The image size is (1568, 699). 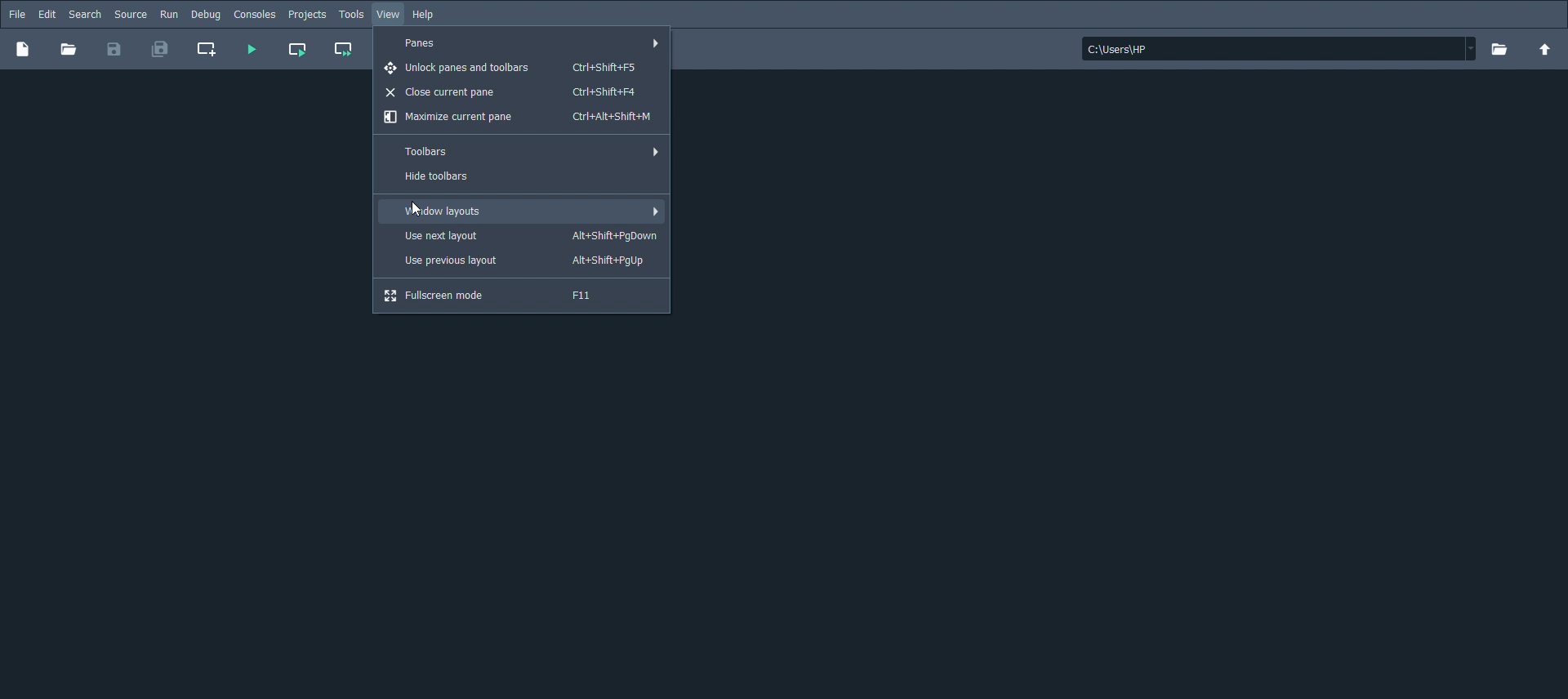 I want to click on Save files, so click(x=114, y=50).